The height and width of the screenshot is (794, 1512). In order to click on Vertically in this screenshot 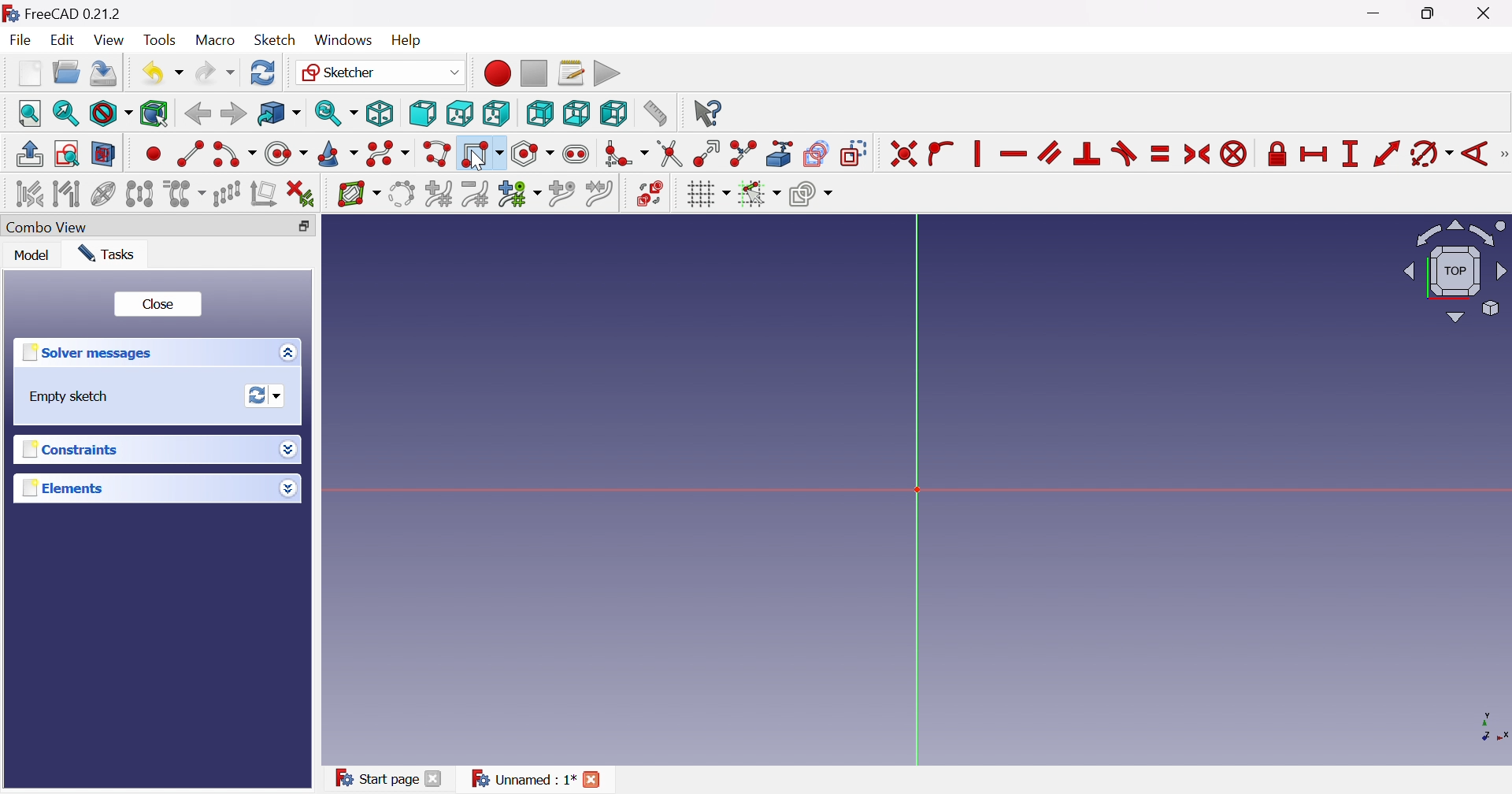, I will do `click(976, 154)`.